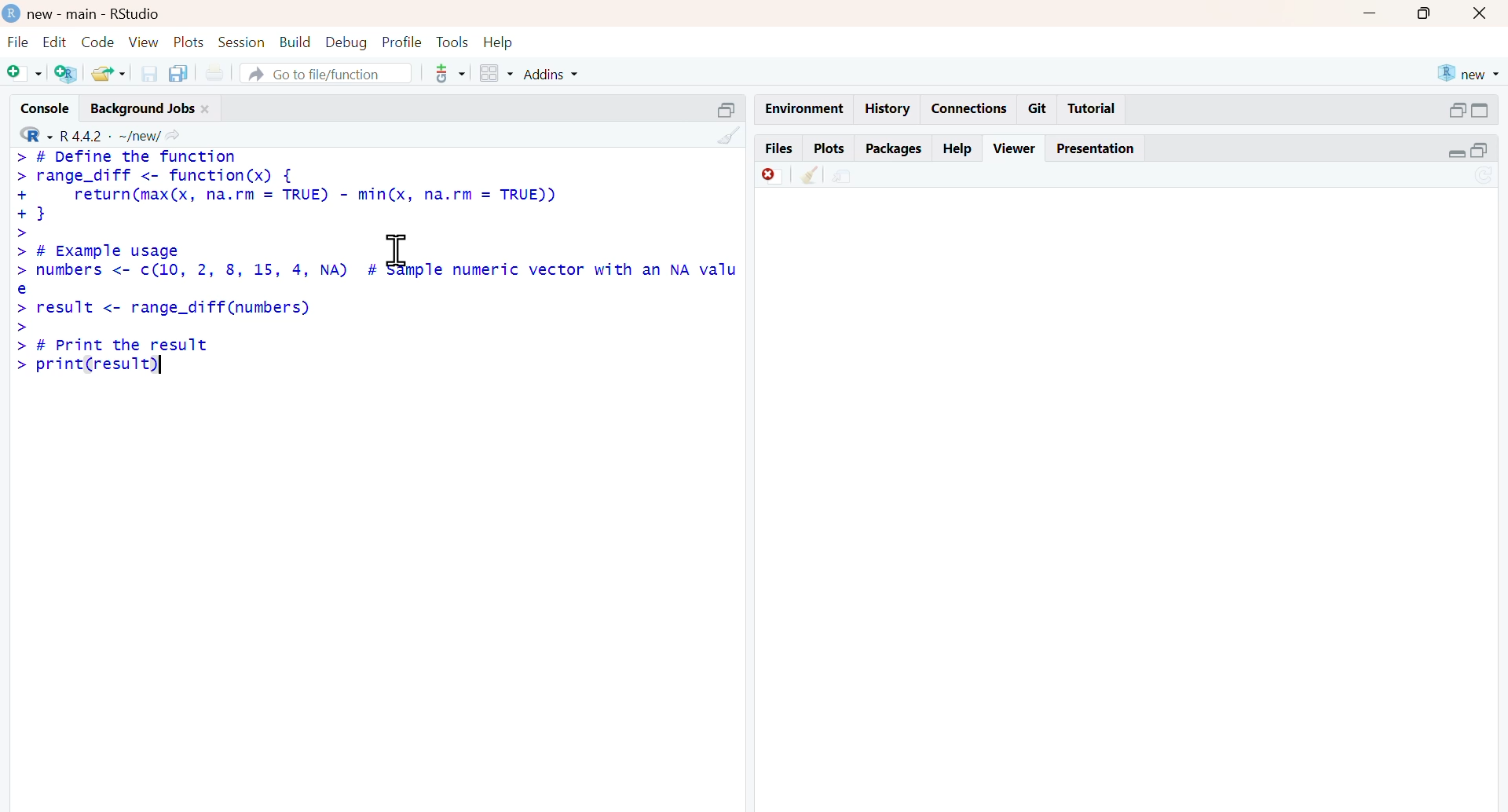  What do you see at coordinates (243, 43) in the screenshot?
I see `session` at bounding box center [243, 43].